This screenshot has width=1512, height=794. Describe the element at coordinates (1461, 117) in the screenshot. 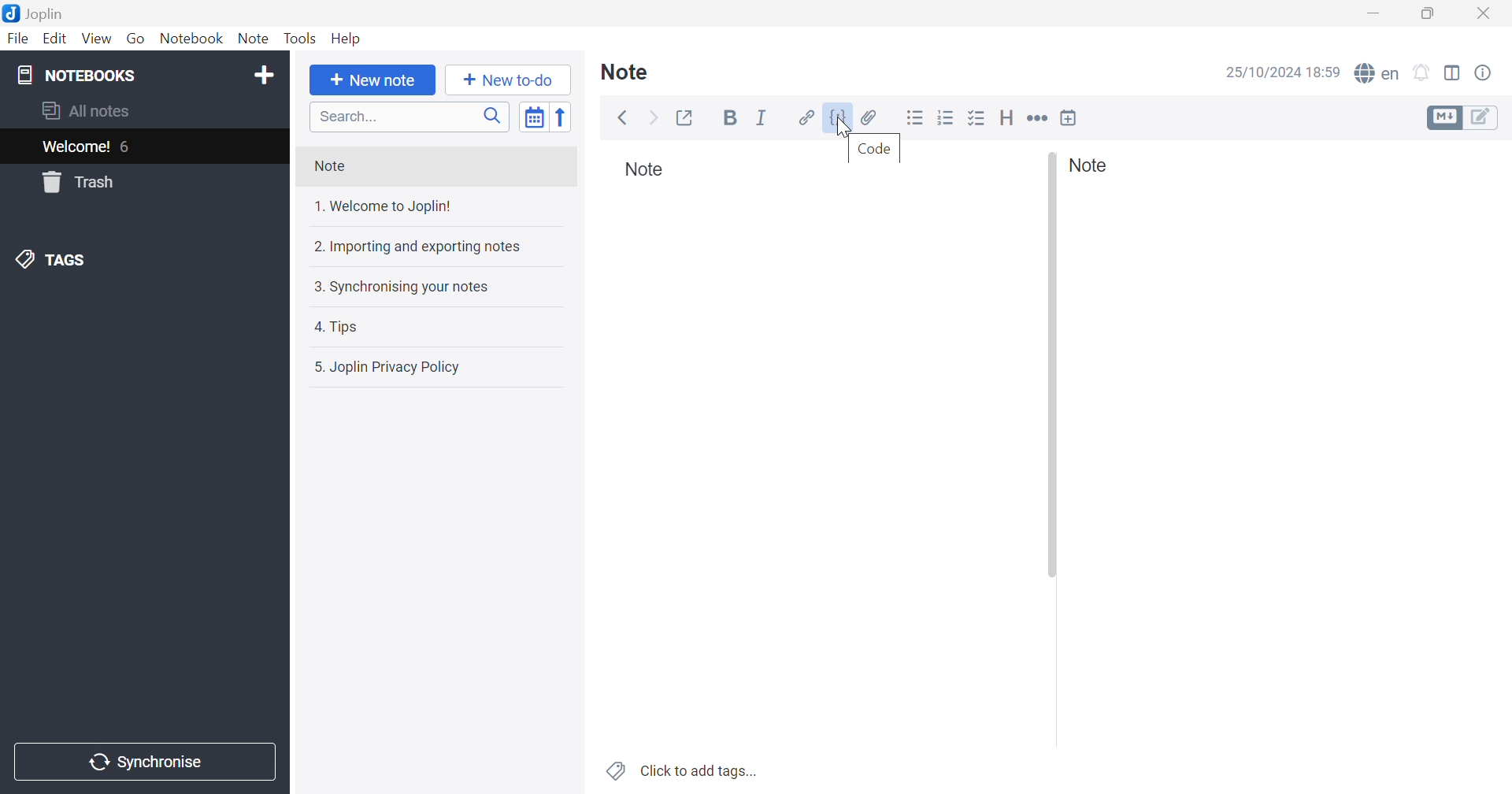

I see `Toggle editors` at that location.